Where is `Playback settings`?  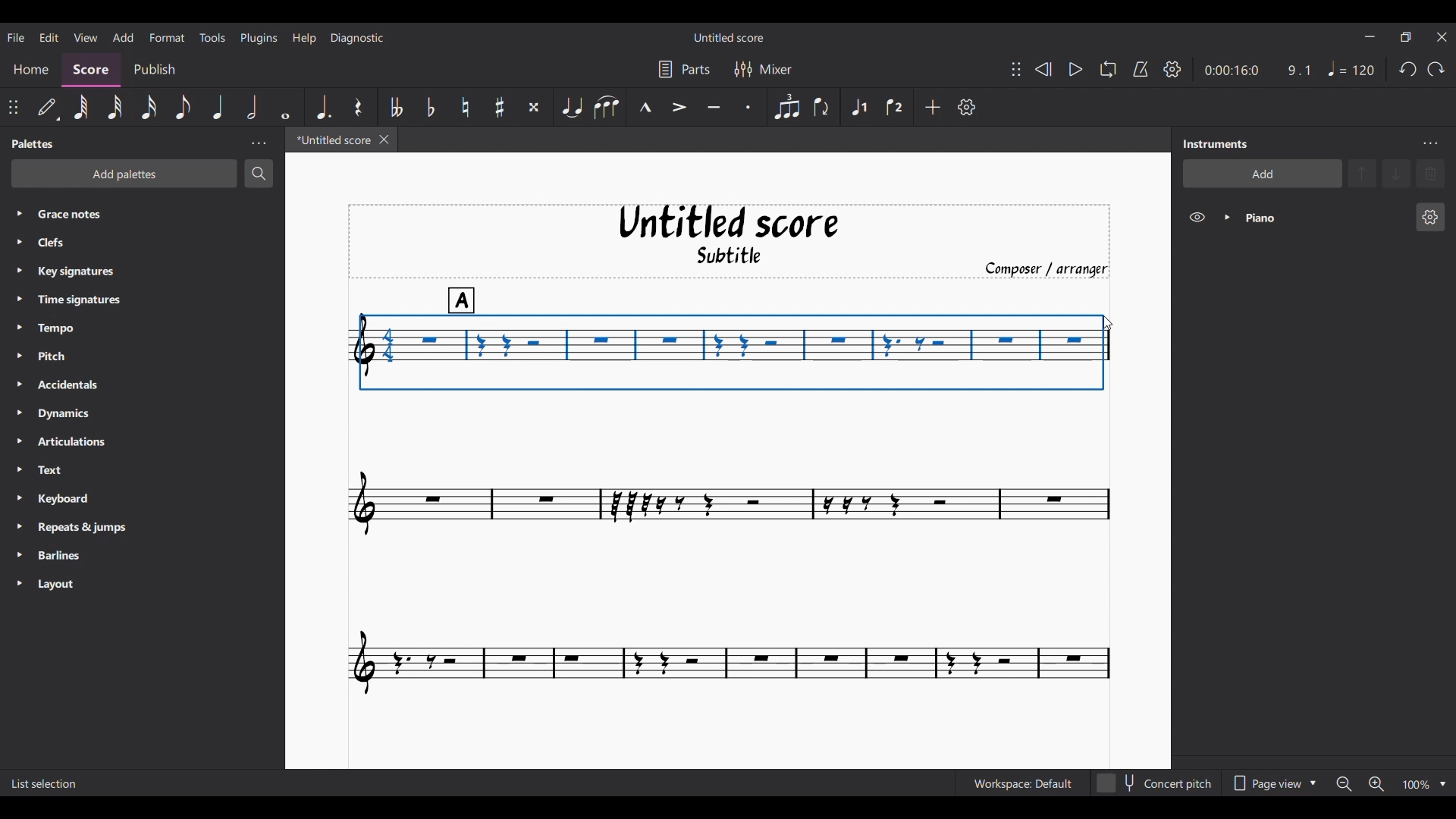
Playback settings is located at coordinates (1172, 68).